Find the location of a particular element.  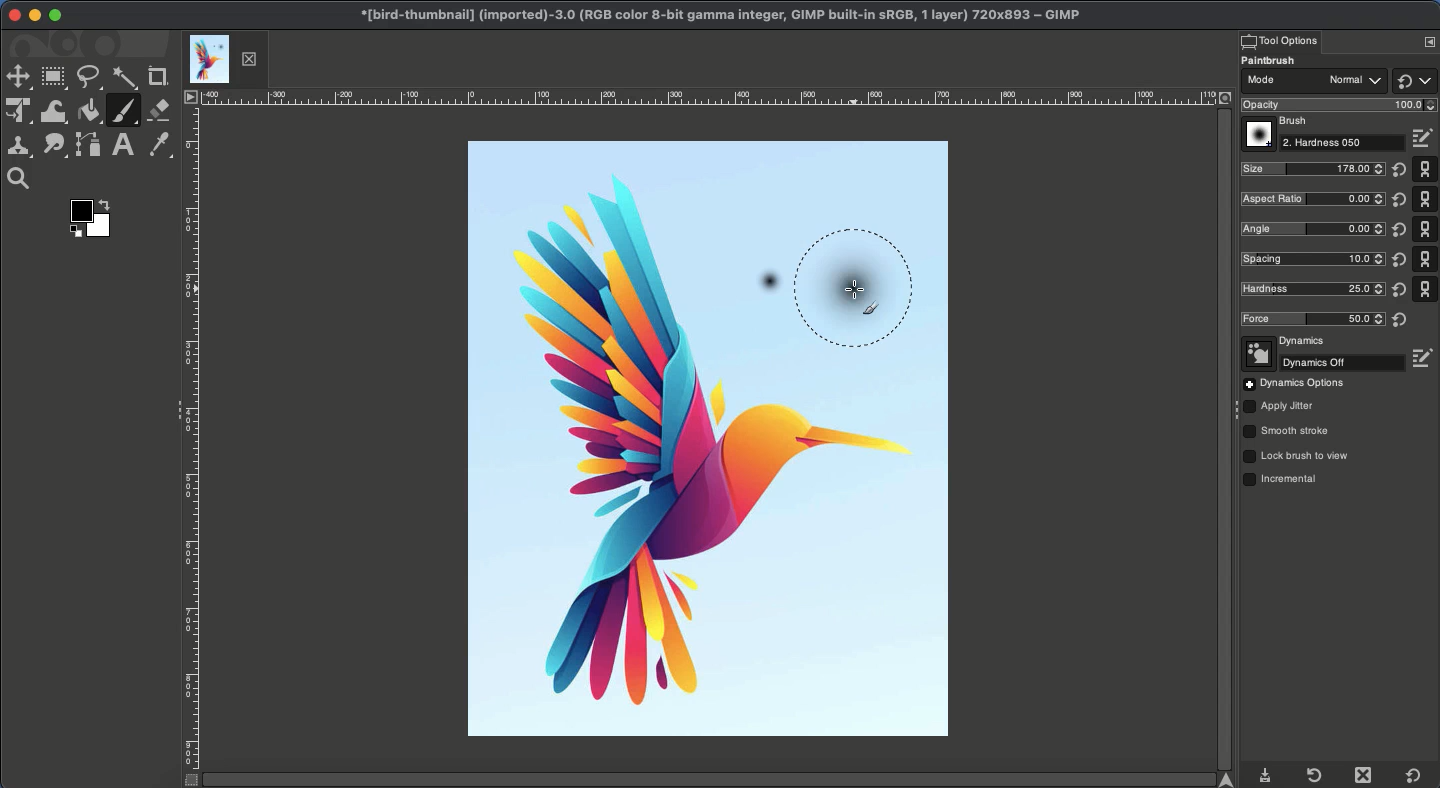

Hardness is located at coordinates (1308, 288).